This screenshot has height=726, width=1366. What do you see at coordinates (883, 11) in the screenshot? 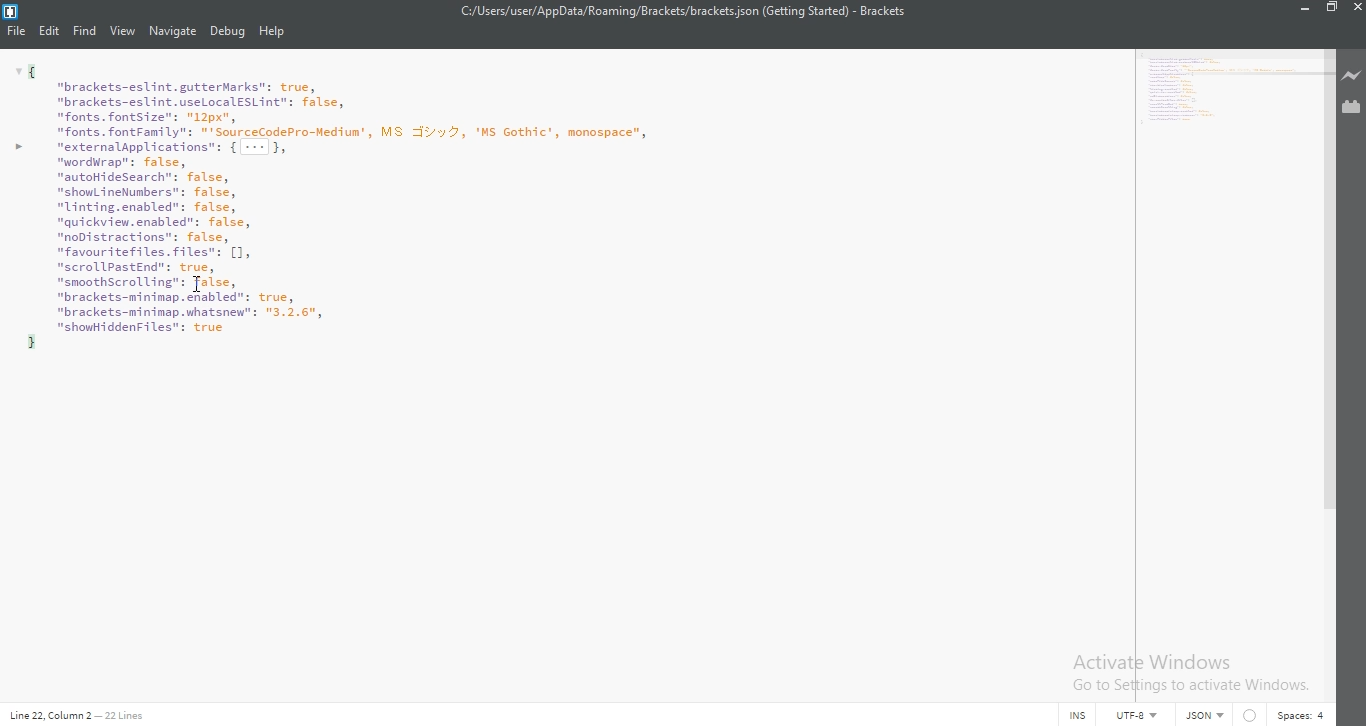
I see `Brackets` at bounding box center [883, 11].